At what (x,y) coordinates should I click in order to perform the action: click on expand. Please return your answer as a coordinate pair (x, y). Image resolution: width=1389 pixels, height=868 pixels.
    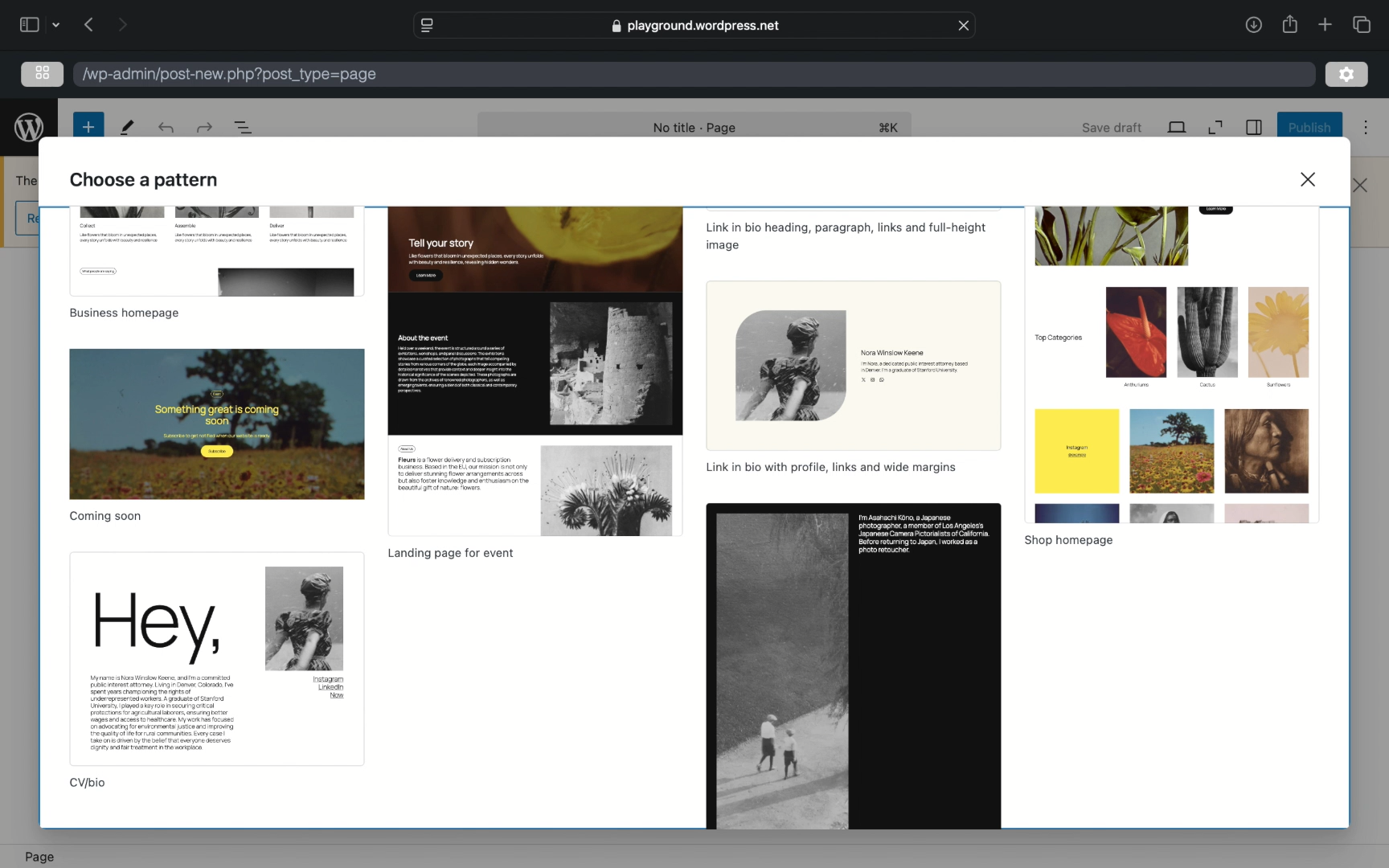
    Looking at the image, I should click on (1215, 127).